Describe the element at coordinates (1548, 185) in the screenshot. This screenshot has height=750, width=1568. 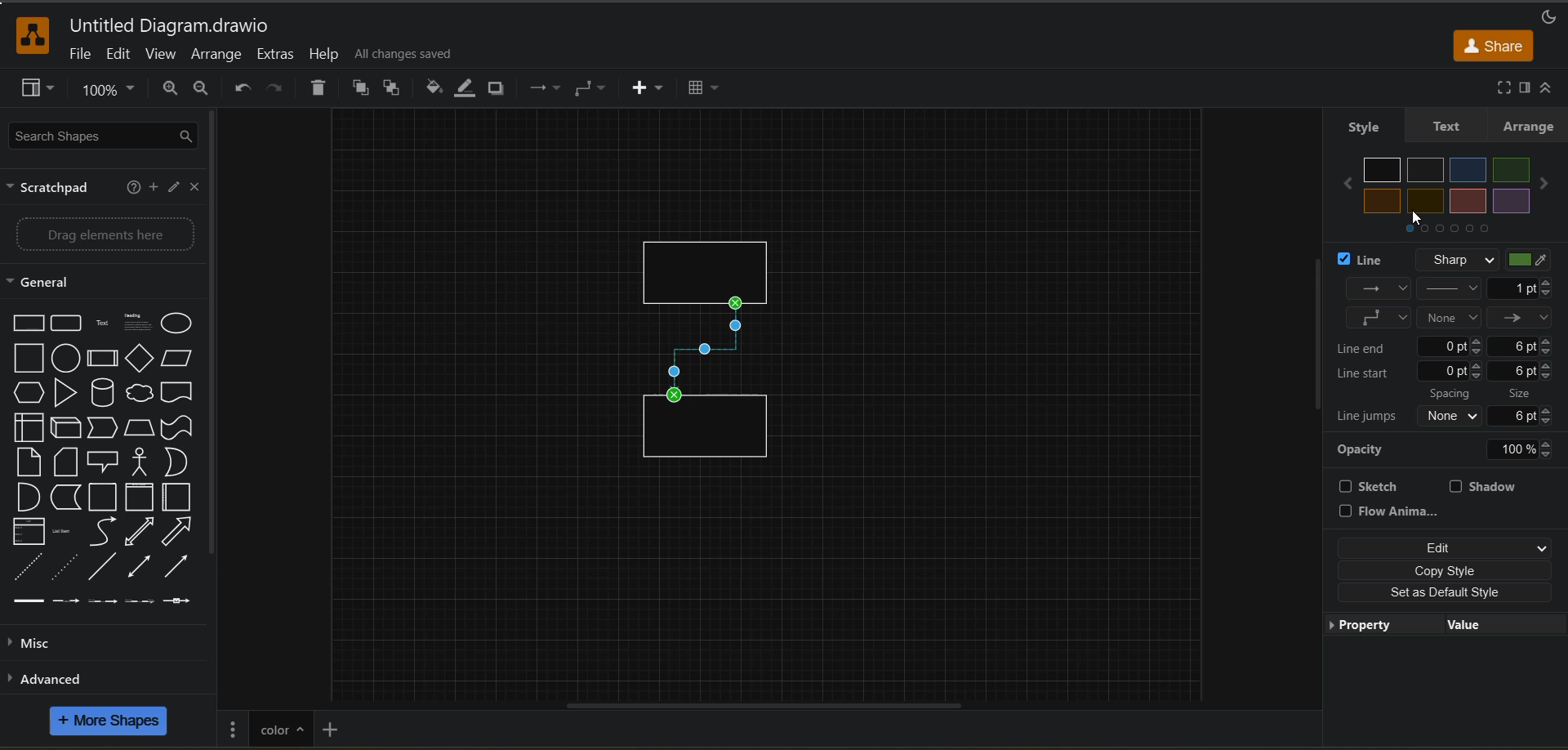
I see `next` at that location.